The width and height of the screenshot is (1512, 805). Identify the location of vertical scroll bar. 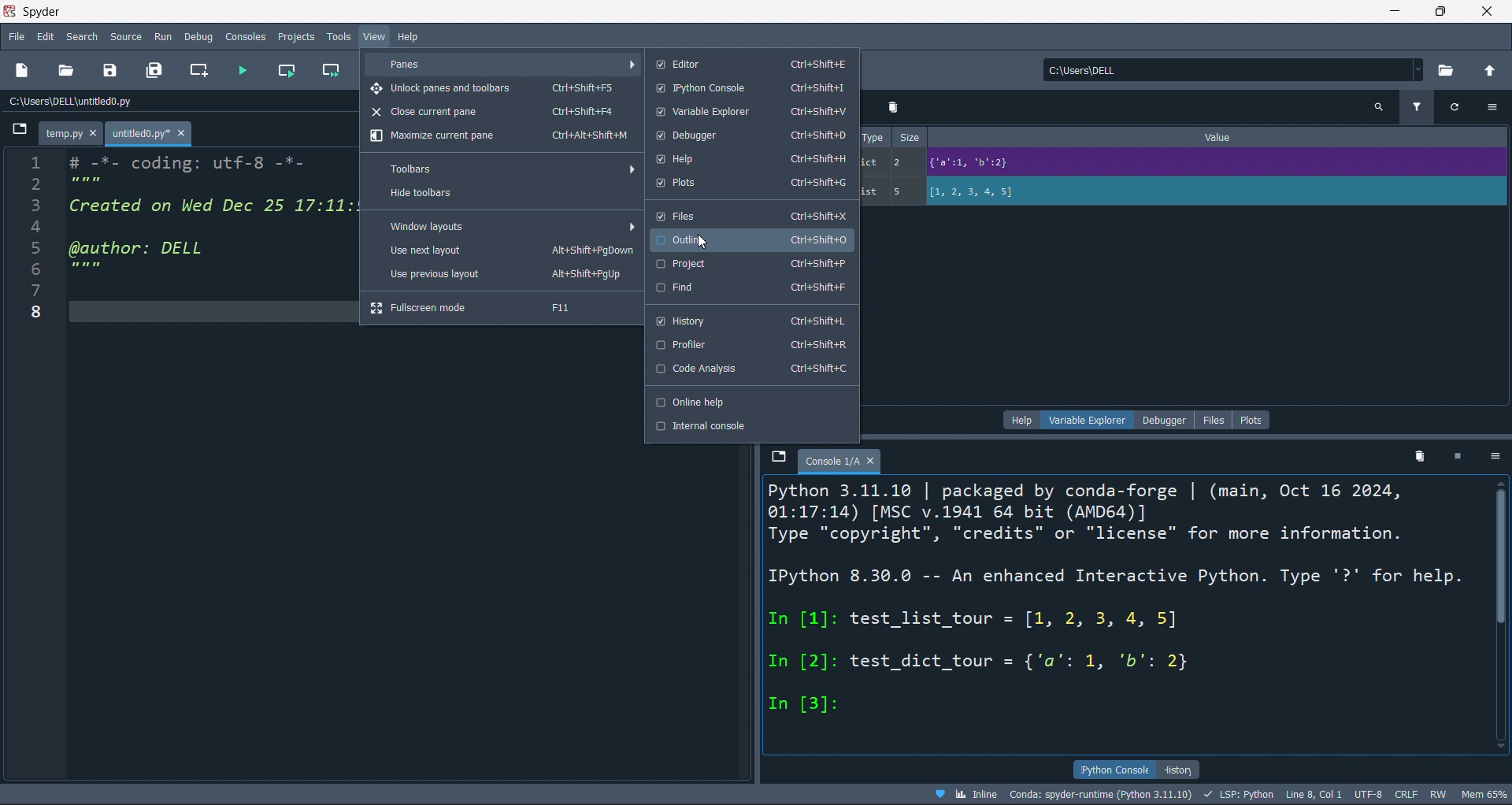
(1503, 566).